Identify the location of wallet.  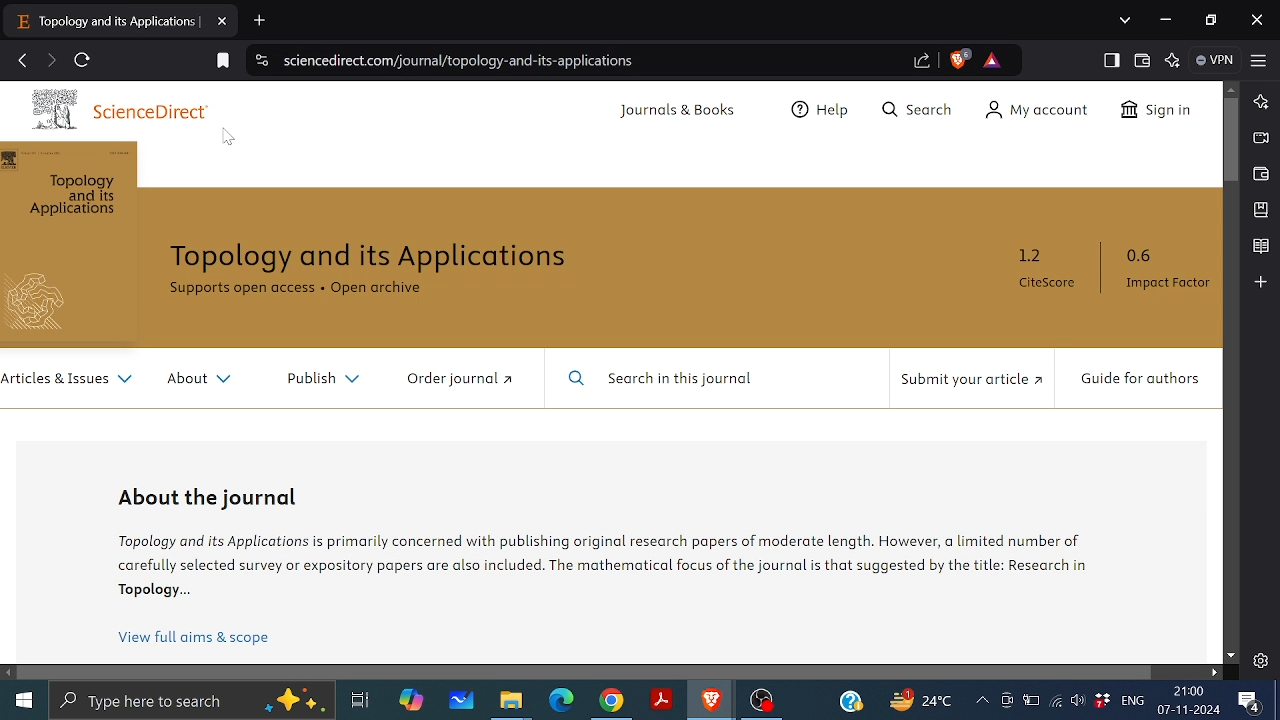
(1258, 175).